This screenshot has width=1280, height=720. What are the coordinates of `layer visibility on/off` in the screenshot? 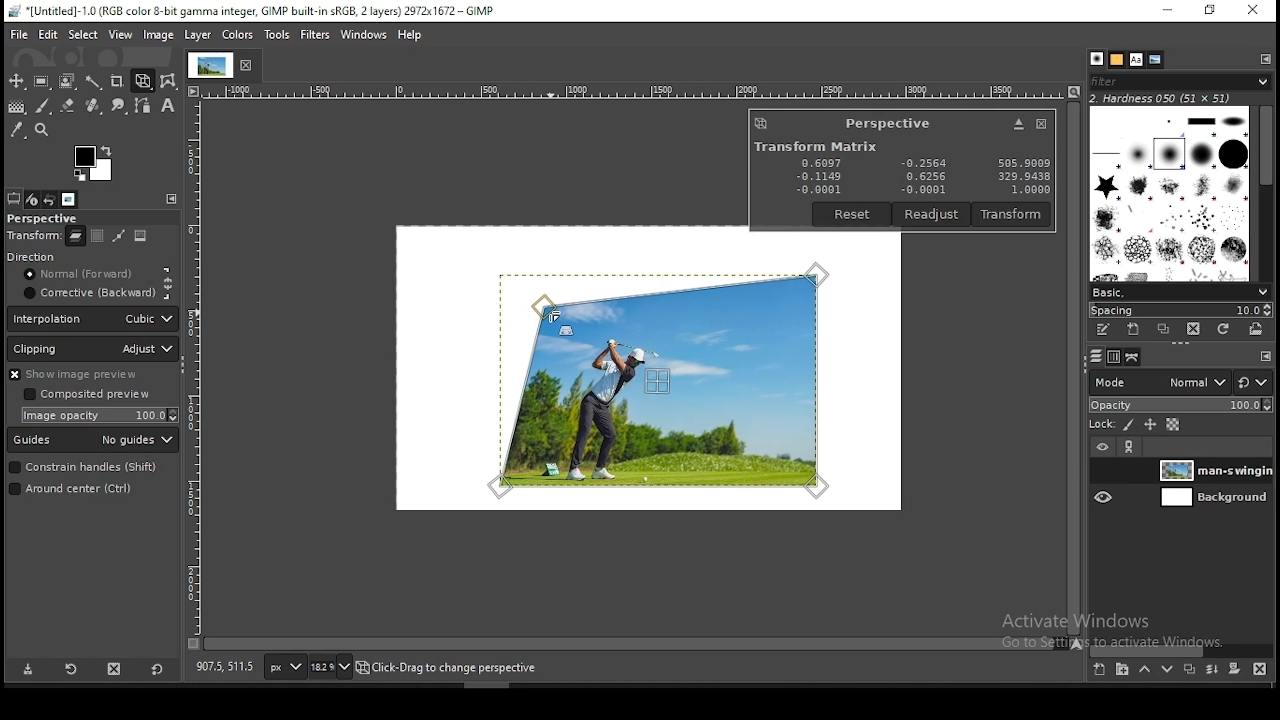 It's located at (1104, 499).